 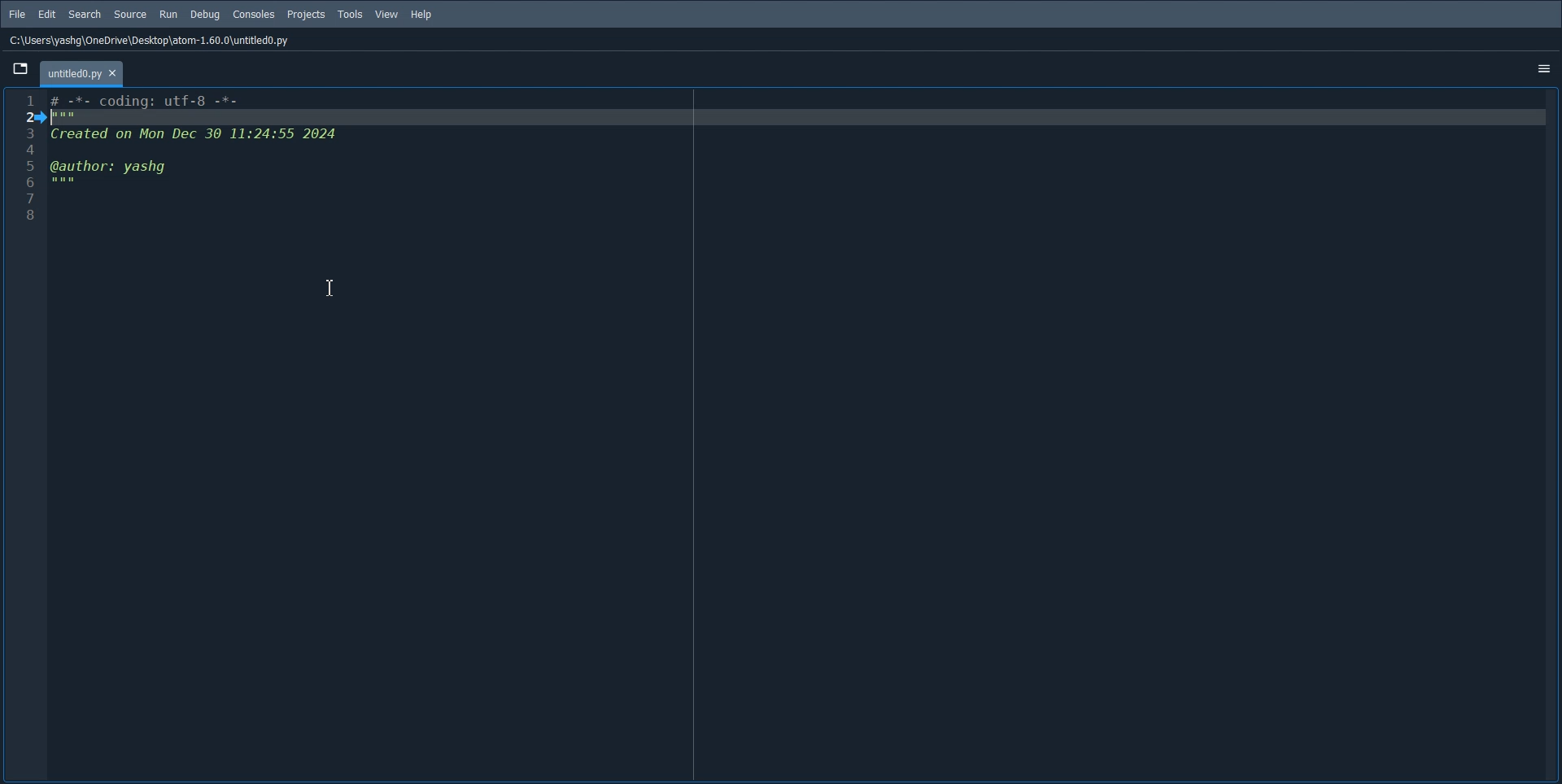 What do you see at coordinates (350, 14) in the screenshot?
I see `Tools` at bounding box center [350, 14].